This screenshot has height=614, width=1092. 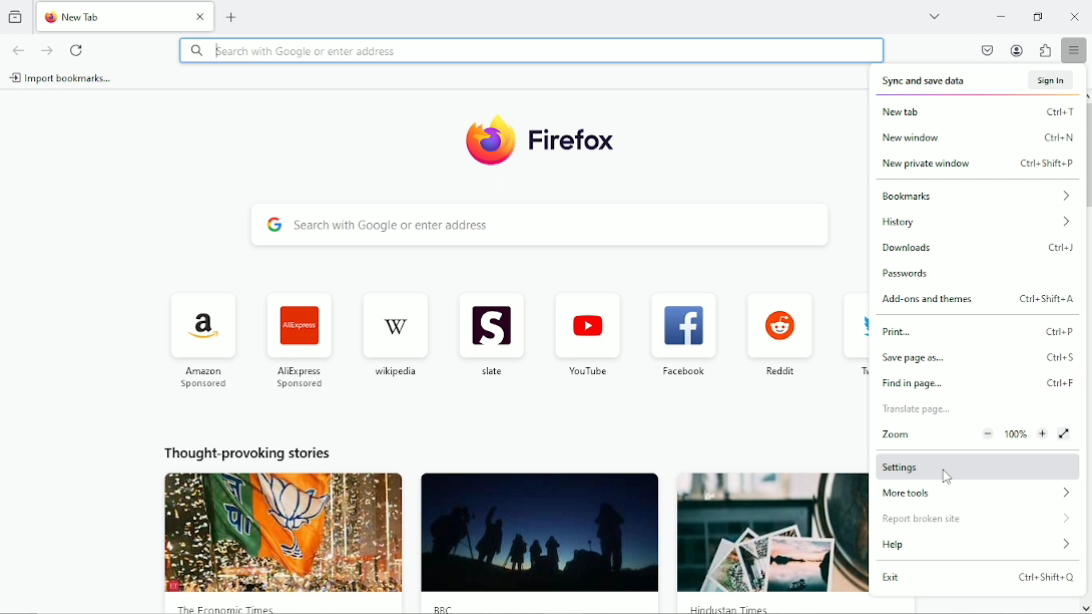 What do you see at coordinates (977, 547) in the screenshot?
I see `help` at bounding box center [977, 547].